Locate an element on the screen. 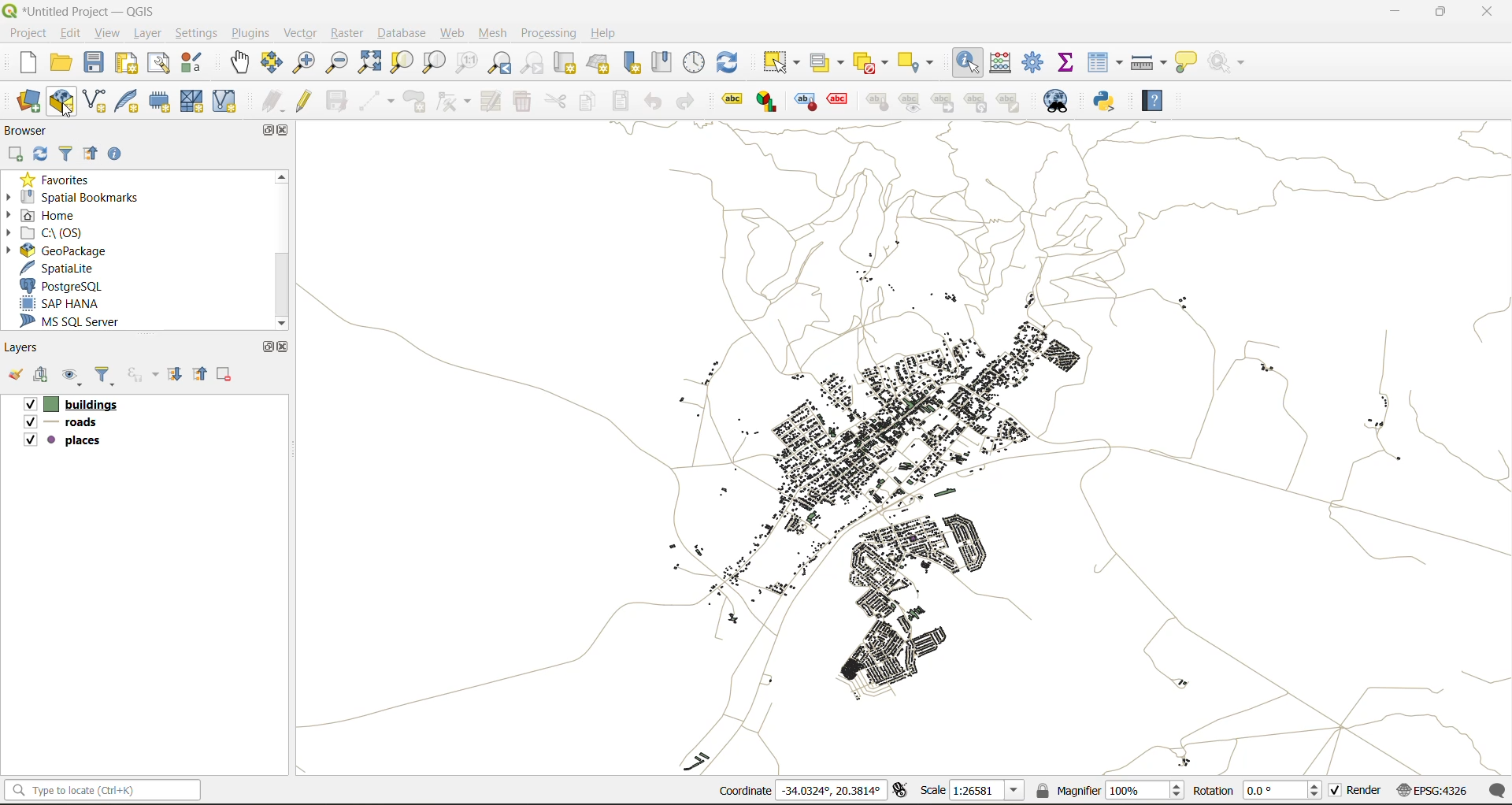 The width and height of the screenshot is (1512, 805). edits is located at coordinates (273, 102).